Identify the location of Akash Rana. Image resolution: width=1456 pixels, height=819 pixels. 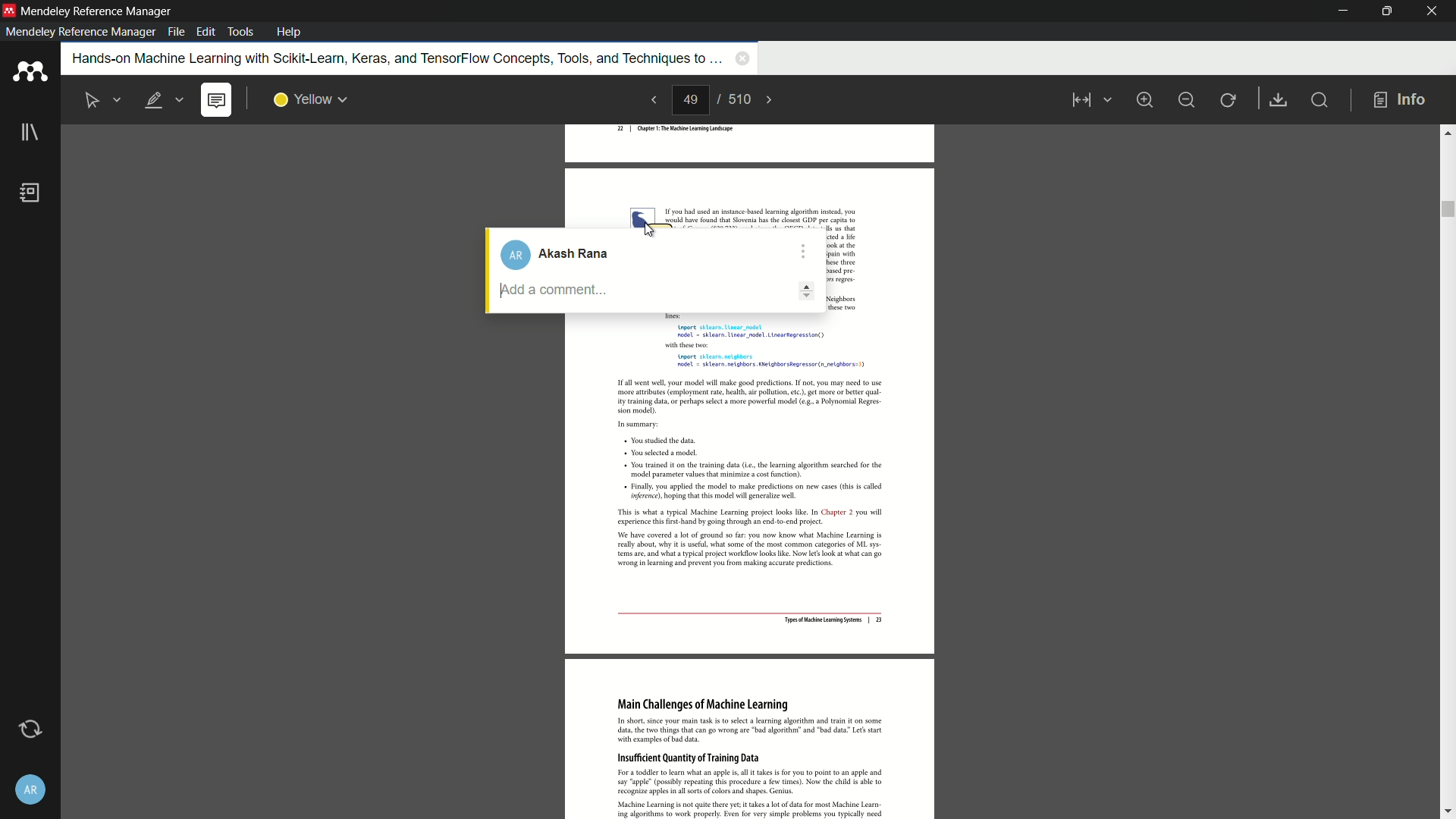
(563, 254).